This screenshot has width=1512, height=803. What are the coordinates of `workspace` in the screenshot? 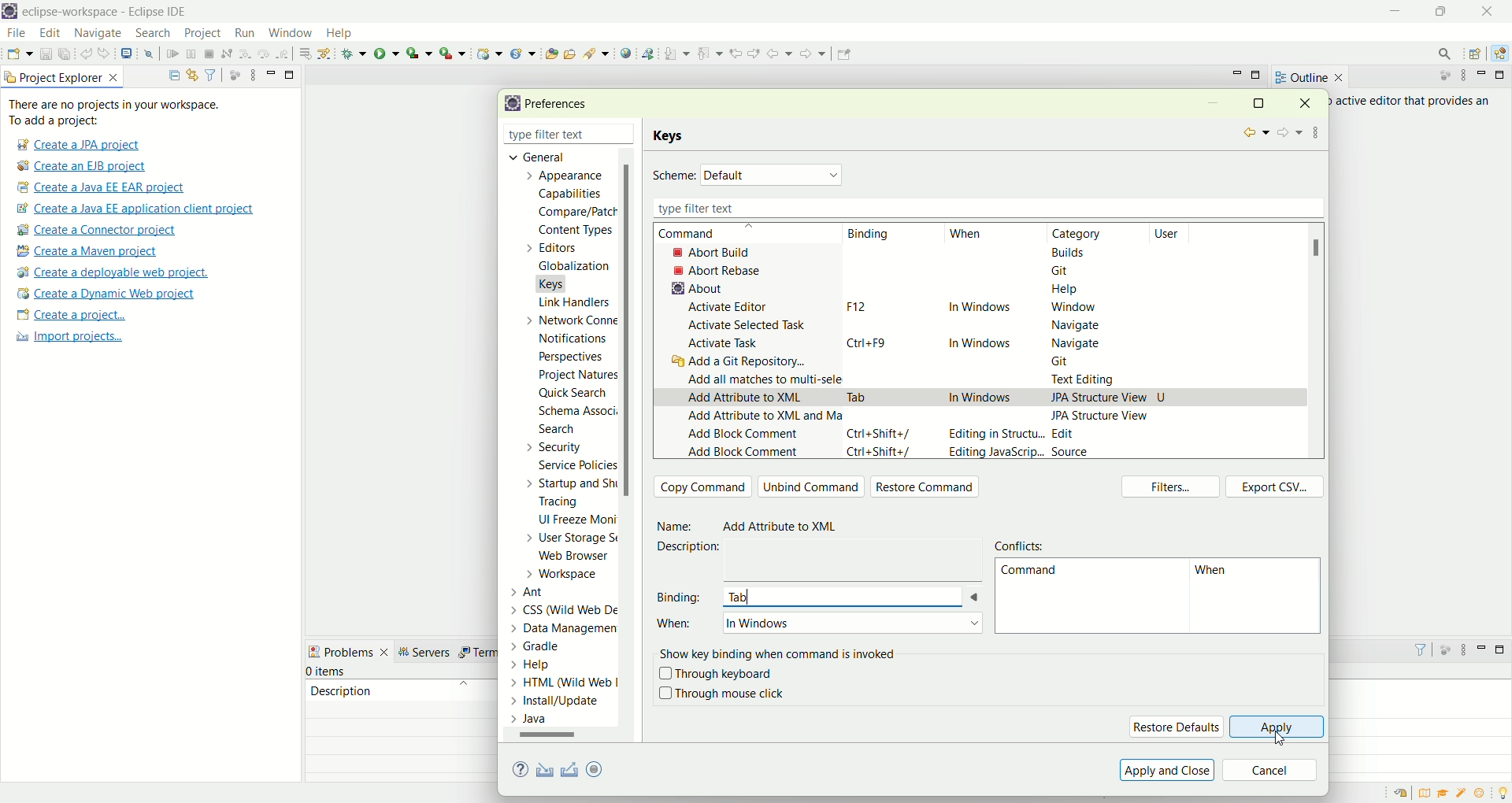 It's located at (566, 574).